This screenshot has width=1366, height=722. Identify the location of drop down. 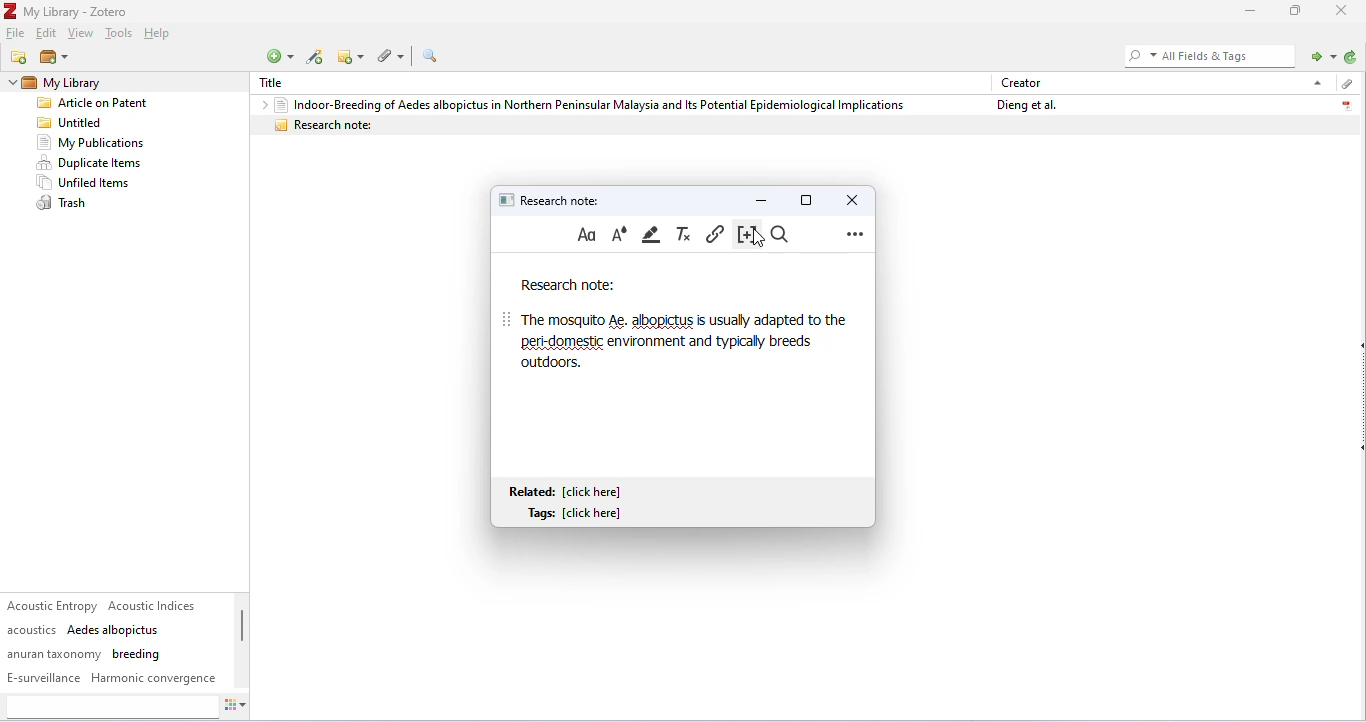
(1315, 82).